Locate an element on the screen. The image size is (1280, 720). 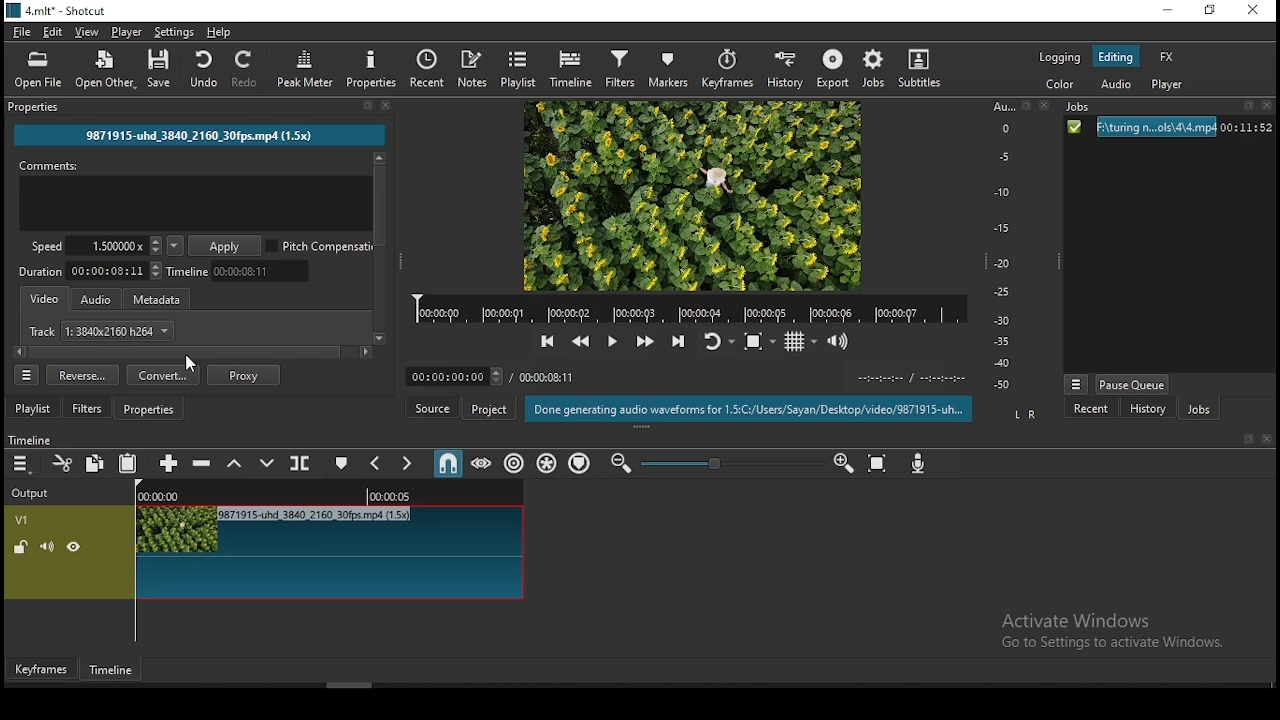
apply is located at coordinates (227, 247).